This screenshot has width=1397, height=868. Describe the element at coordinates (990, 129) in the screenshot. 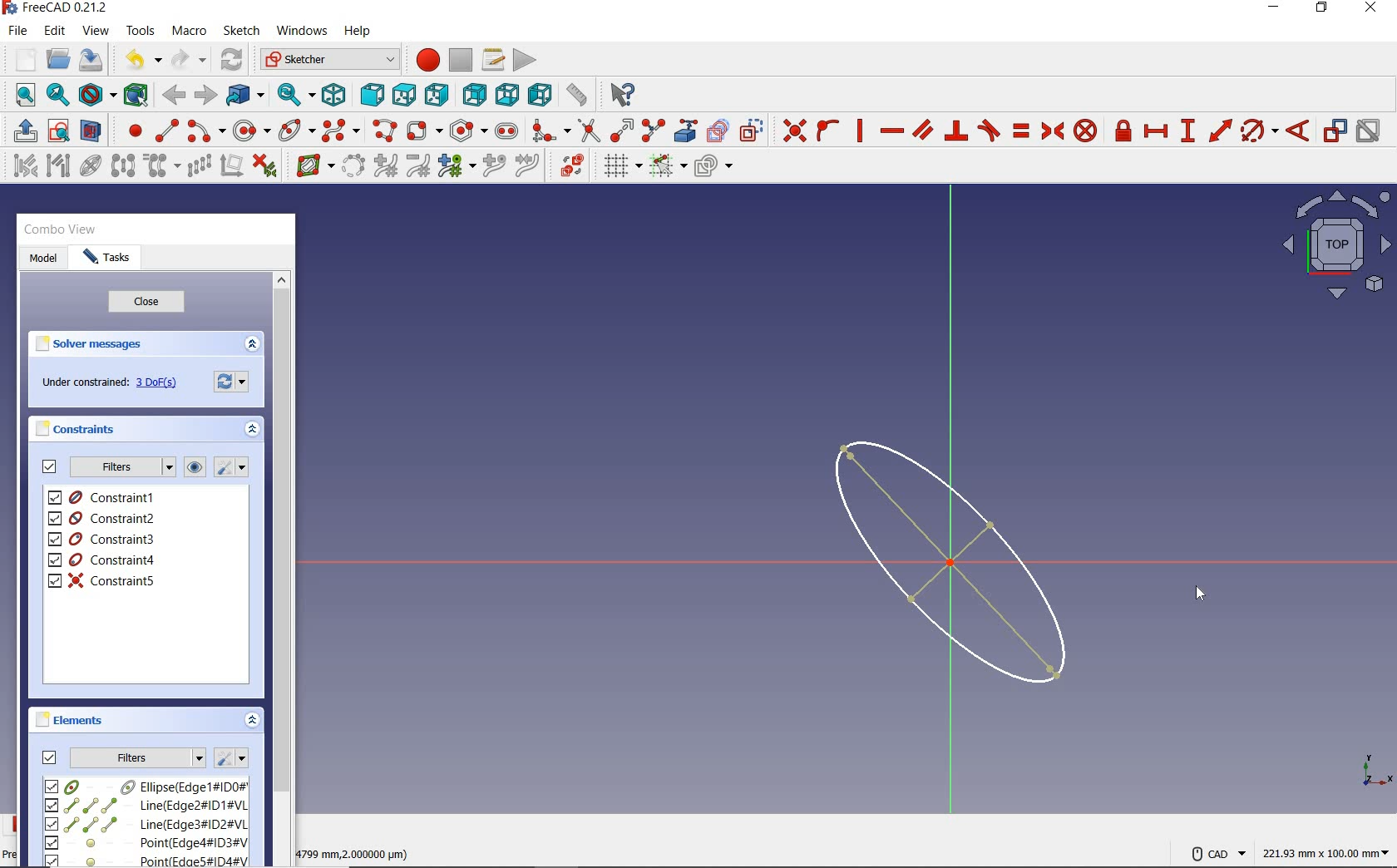

I see `constrain tangent` at that location.